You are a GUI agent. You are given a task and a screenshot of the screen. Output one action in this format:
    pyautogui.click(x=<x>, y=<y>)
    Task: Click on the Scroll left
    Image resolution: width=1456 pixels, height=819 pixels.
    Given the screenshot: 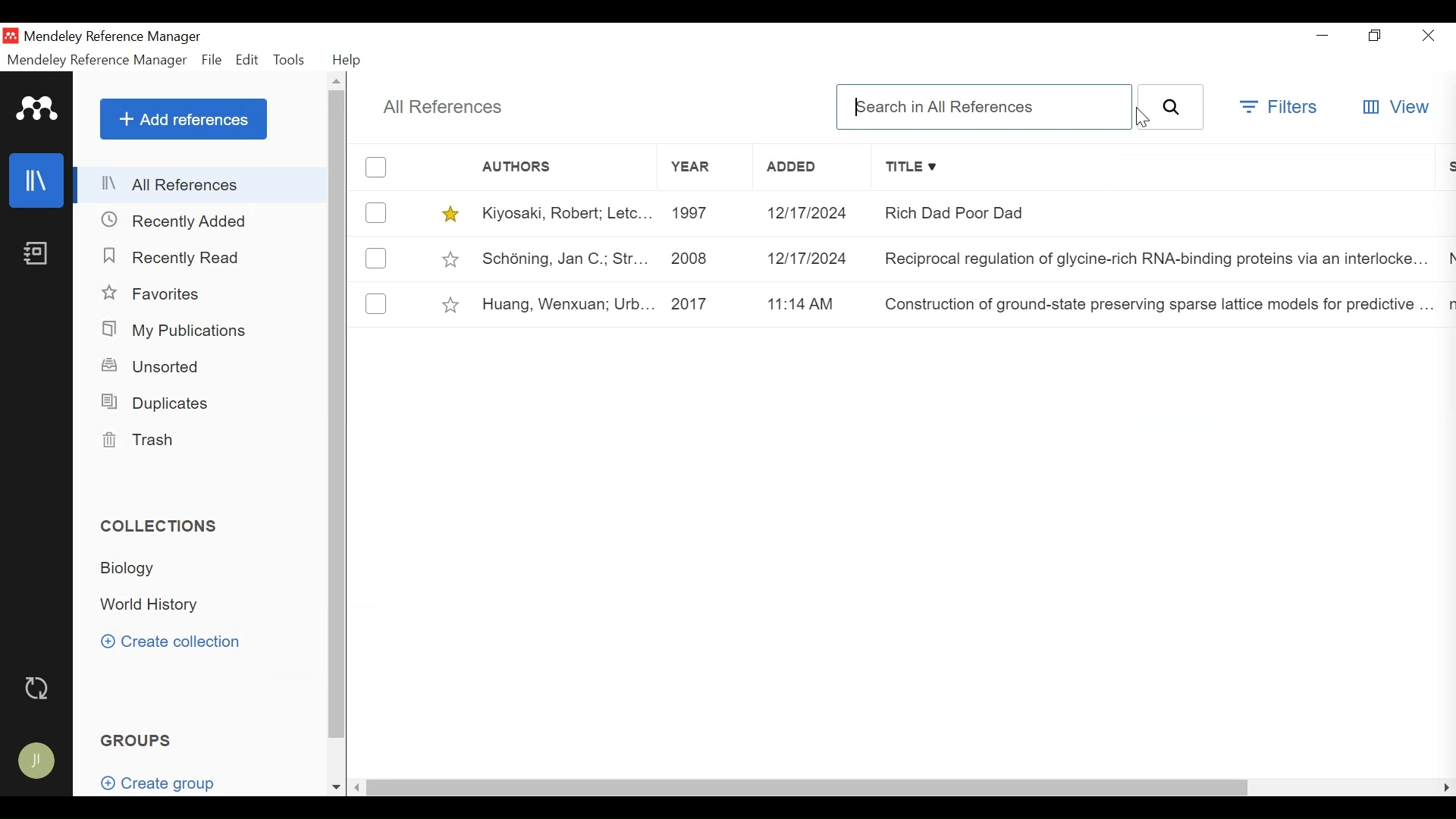 What is the action you would take?
    pyautogui.click(x=358, y=788)
    